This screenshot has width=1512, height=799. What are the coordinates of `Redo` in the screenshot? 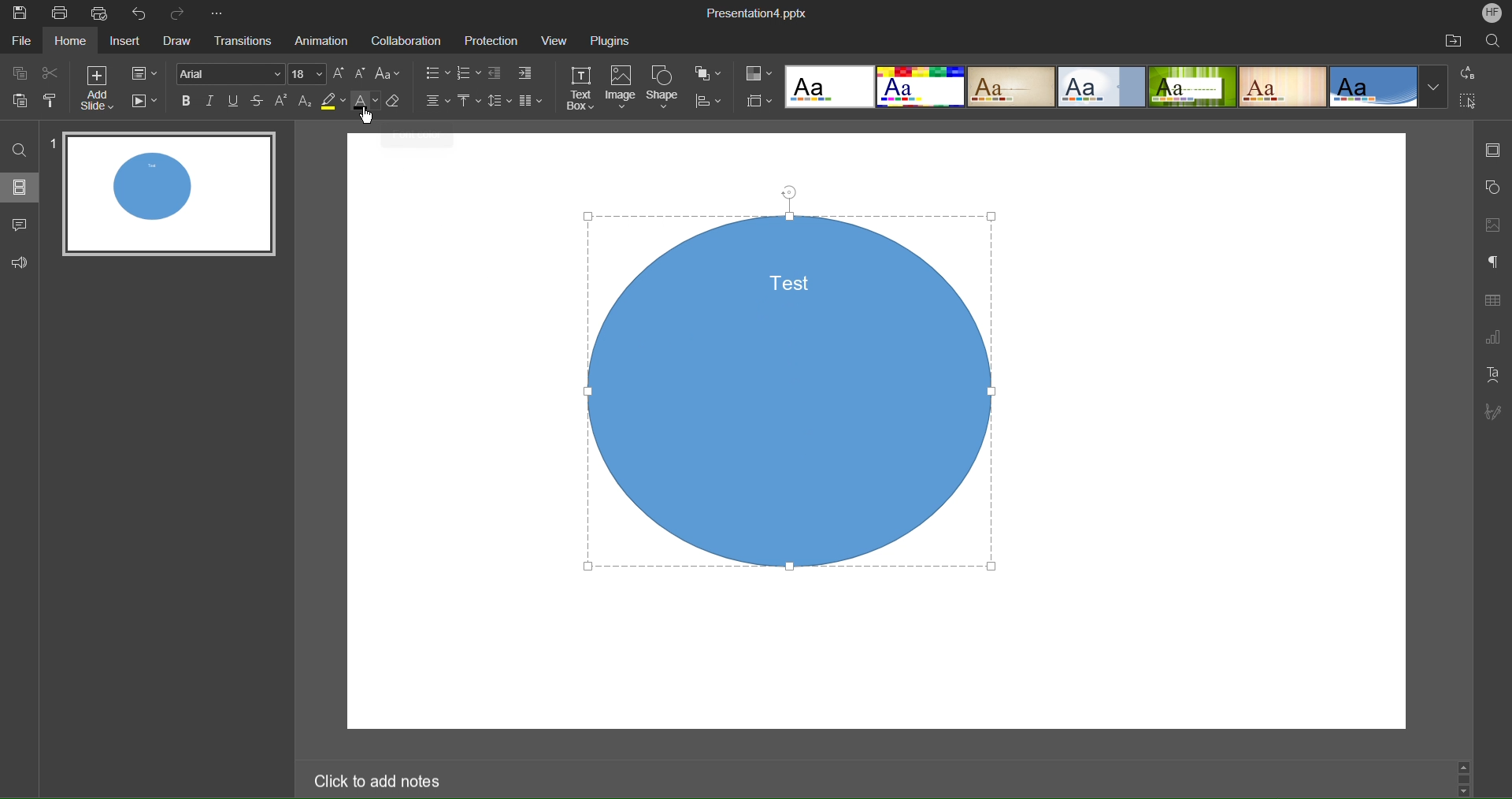 It's located at (182, 13).